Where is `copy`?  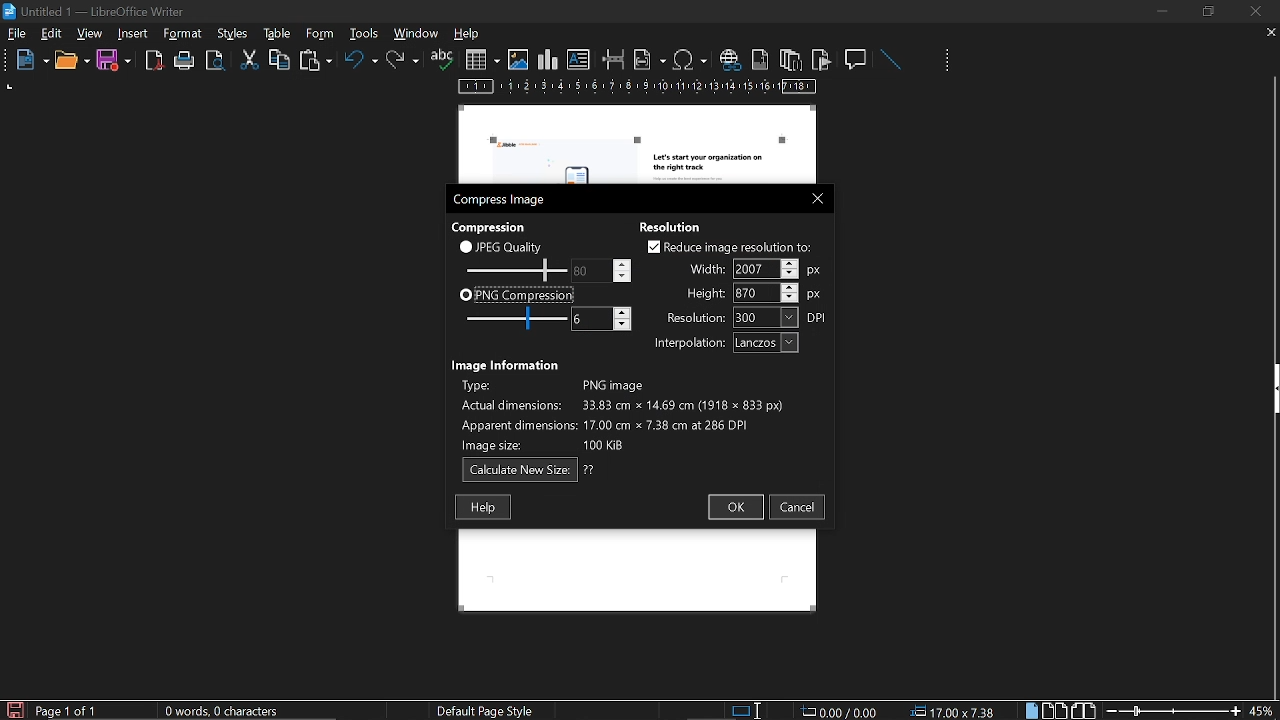
copy is located at coordinates (279, 59).